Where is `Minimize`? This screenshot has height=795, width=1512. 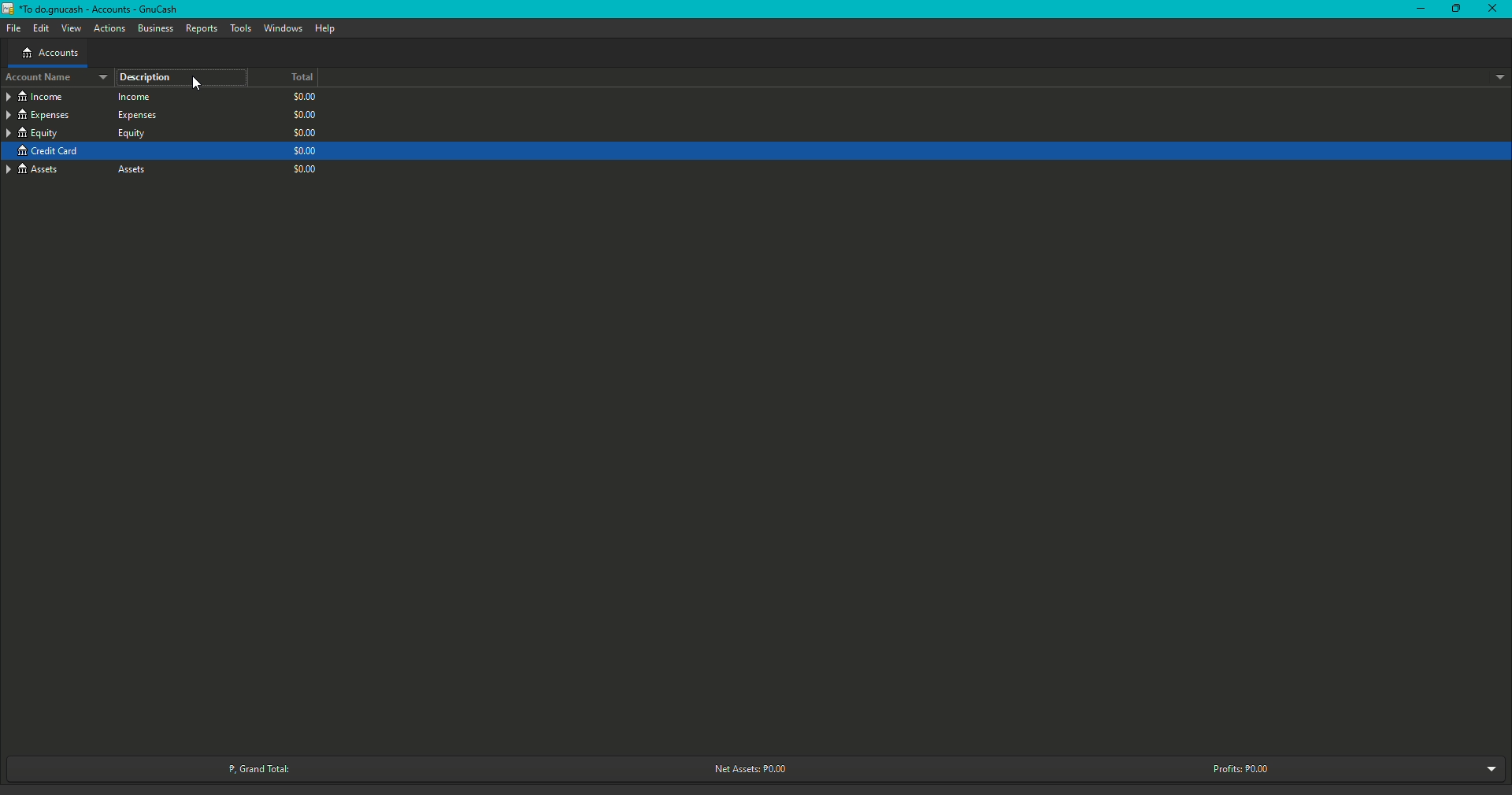
Minimize is located at coordinates (1417, 9).